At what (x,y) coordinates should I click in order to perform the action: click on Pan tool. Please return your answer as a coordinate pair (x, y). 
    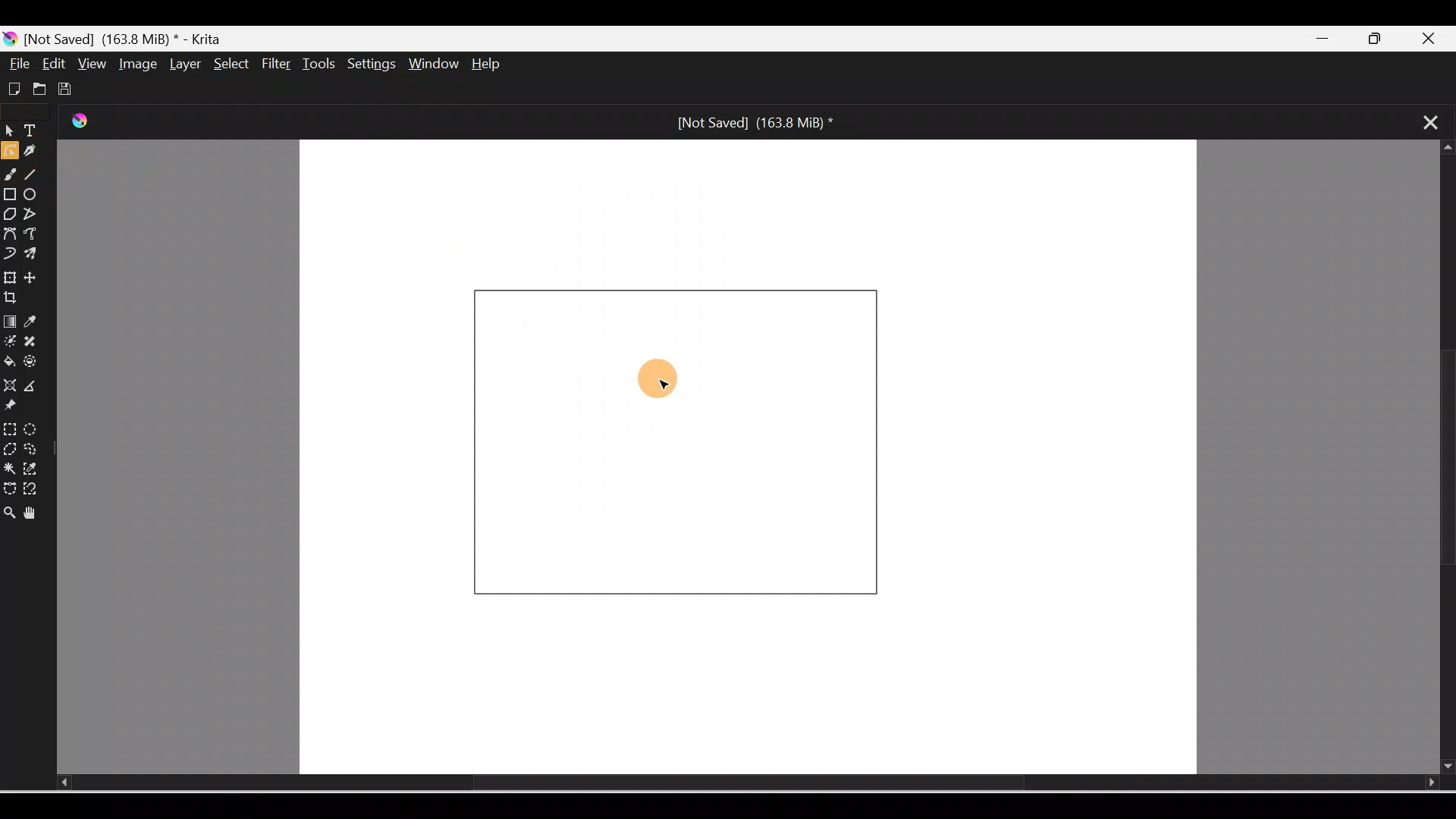
    Looking at the image, I should click on (33, 510).